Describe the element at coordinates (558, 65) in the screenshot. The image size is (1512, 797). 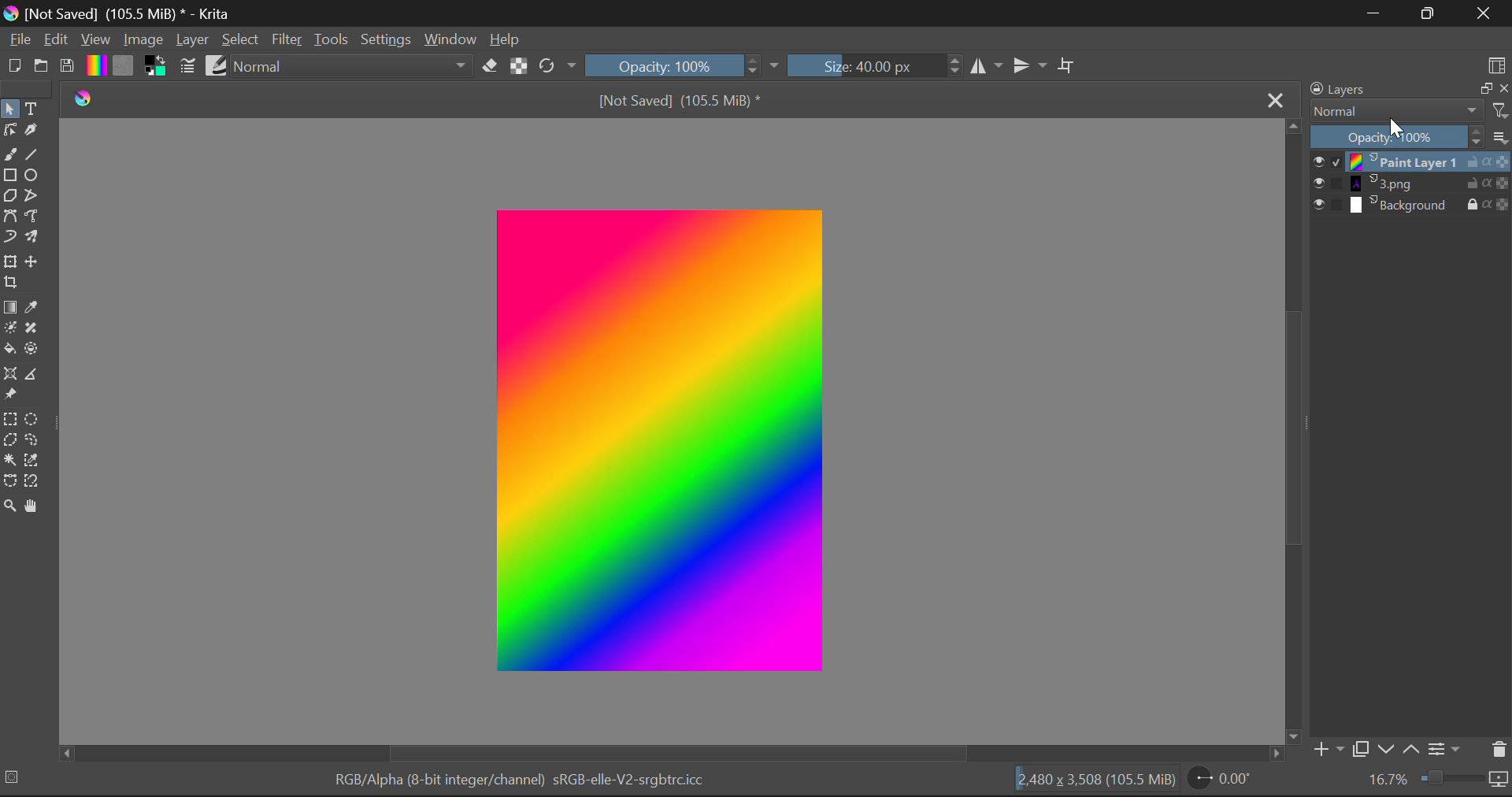
I see `Rotation` at that location.